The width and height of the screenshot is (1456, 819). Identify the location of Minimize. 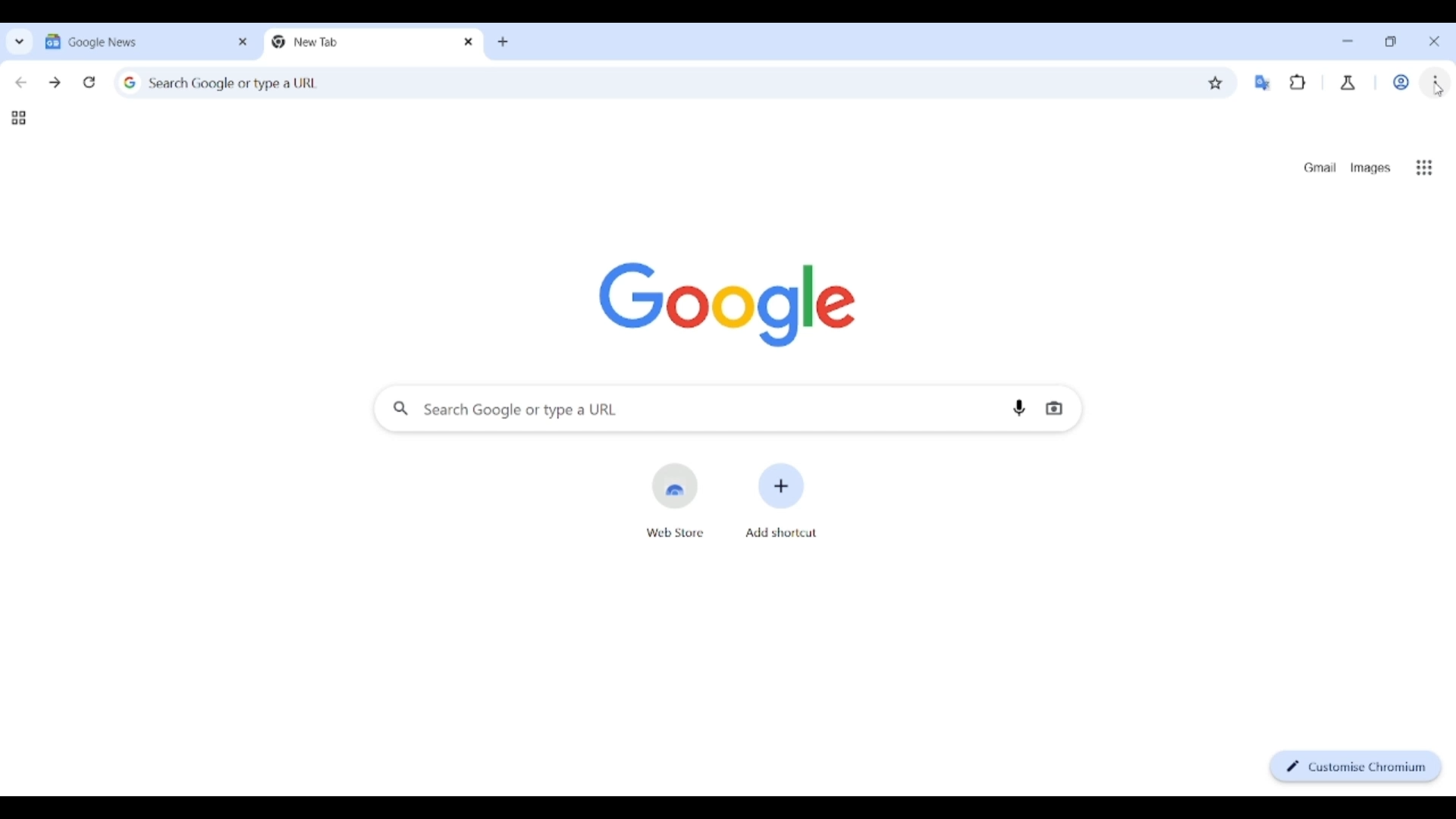
(1348, 41).